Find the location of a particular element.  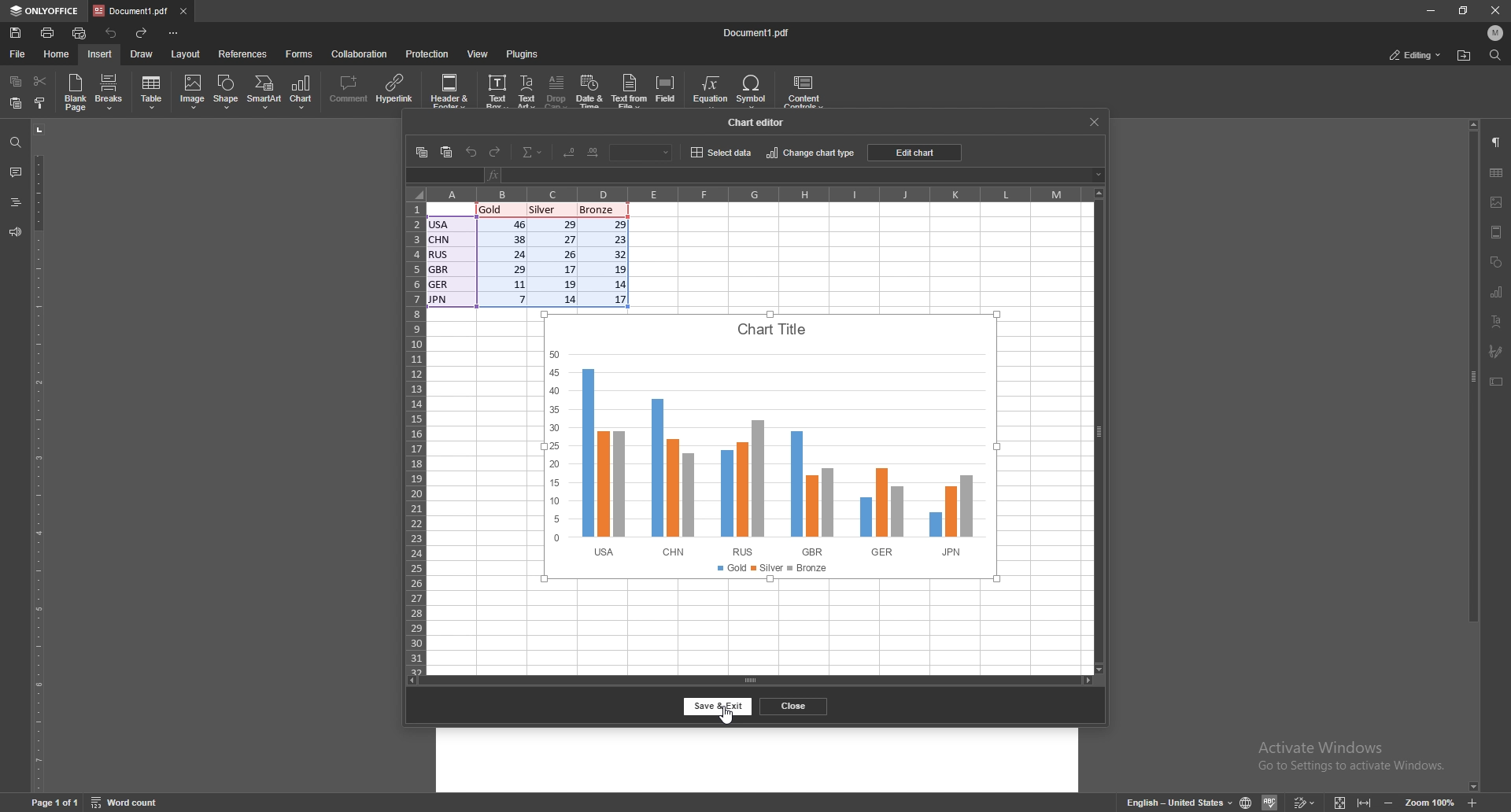

close is located at coordinates (794, 707).